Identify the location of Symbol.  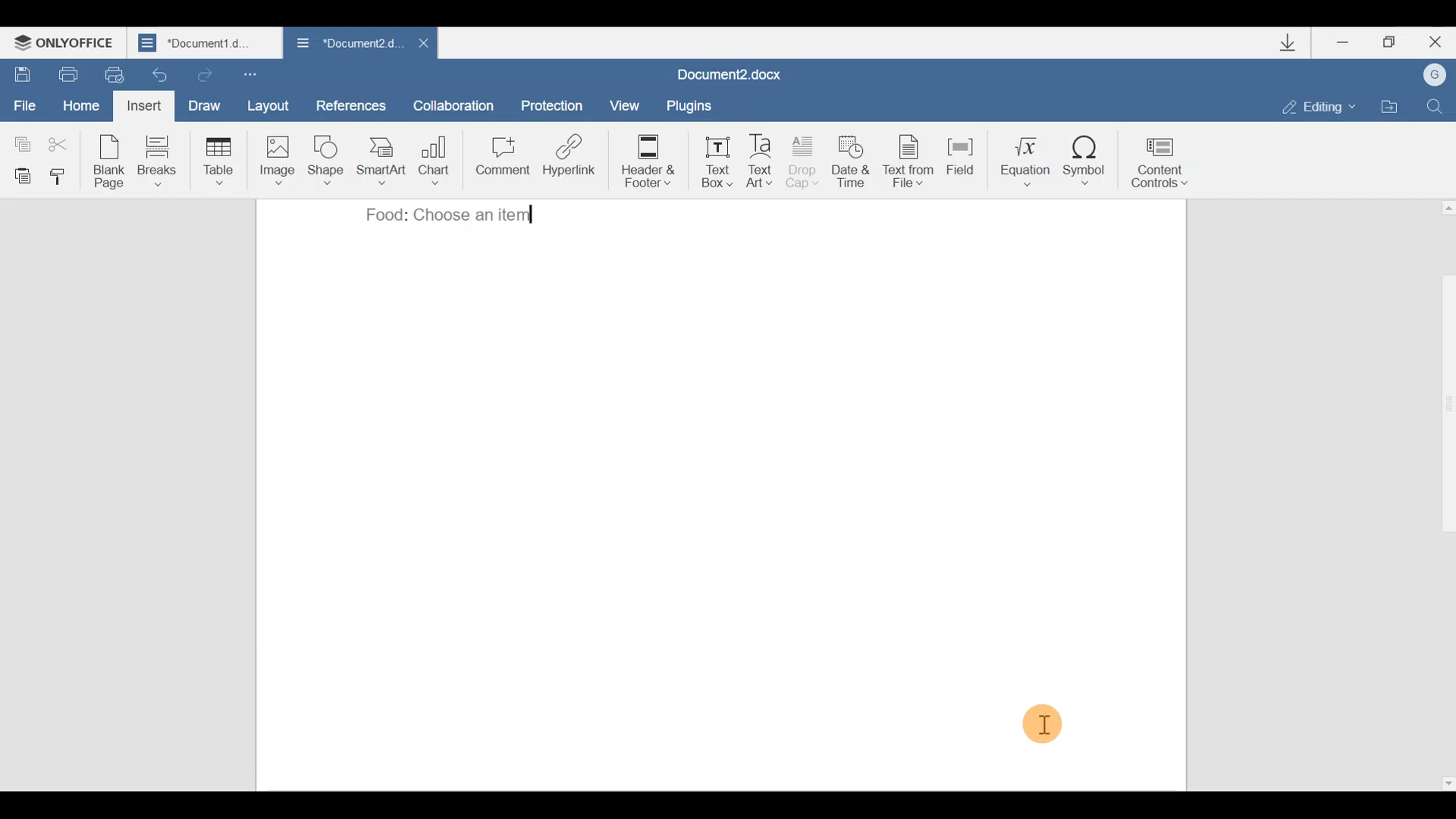
(1090, 155).